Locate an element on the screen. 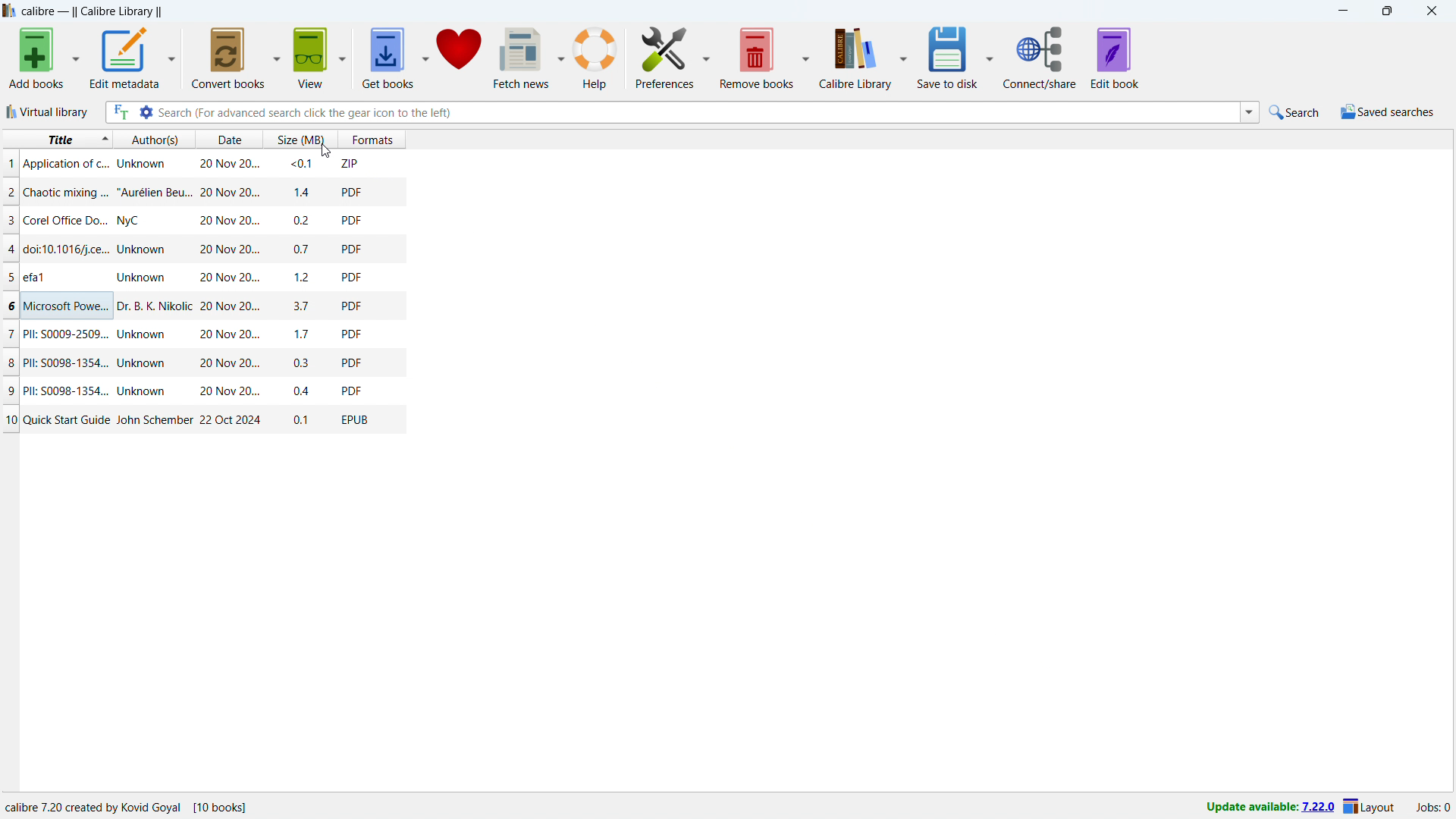 This screenshot has height=819, width=1456. date is located at coordinates (227, 278).